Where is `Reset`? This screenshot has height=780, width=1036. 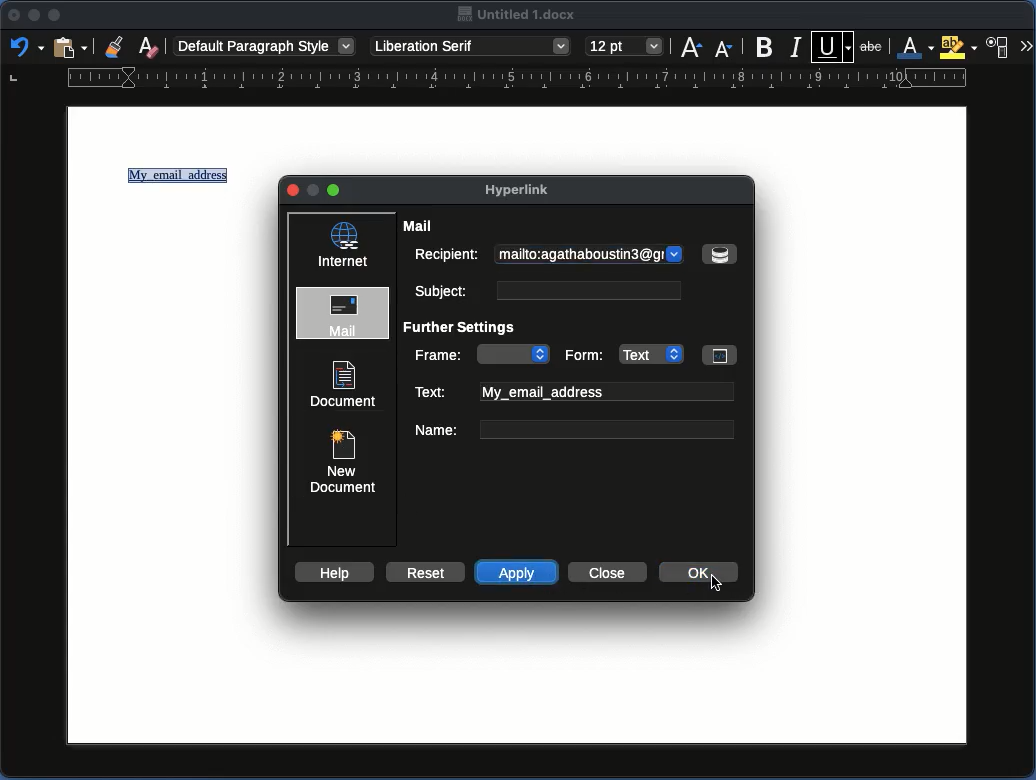 Reset is located at coordinates (423, 571).